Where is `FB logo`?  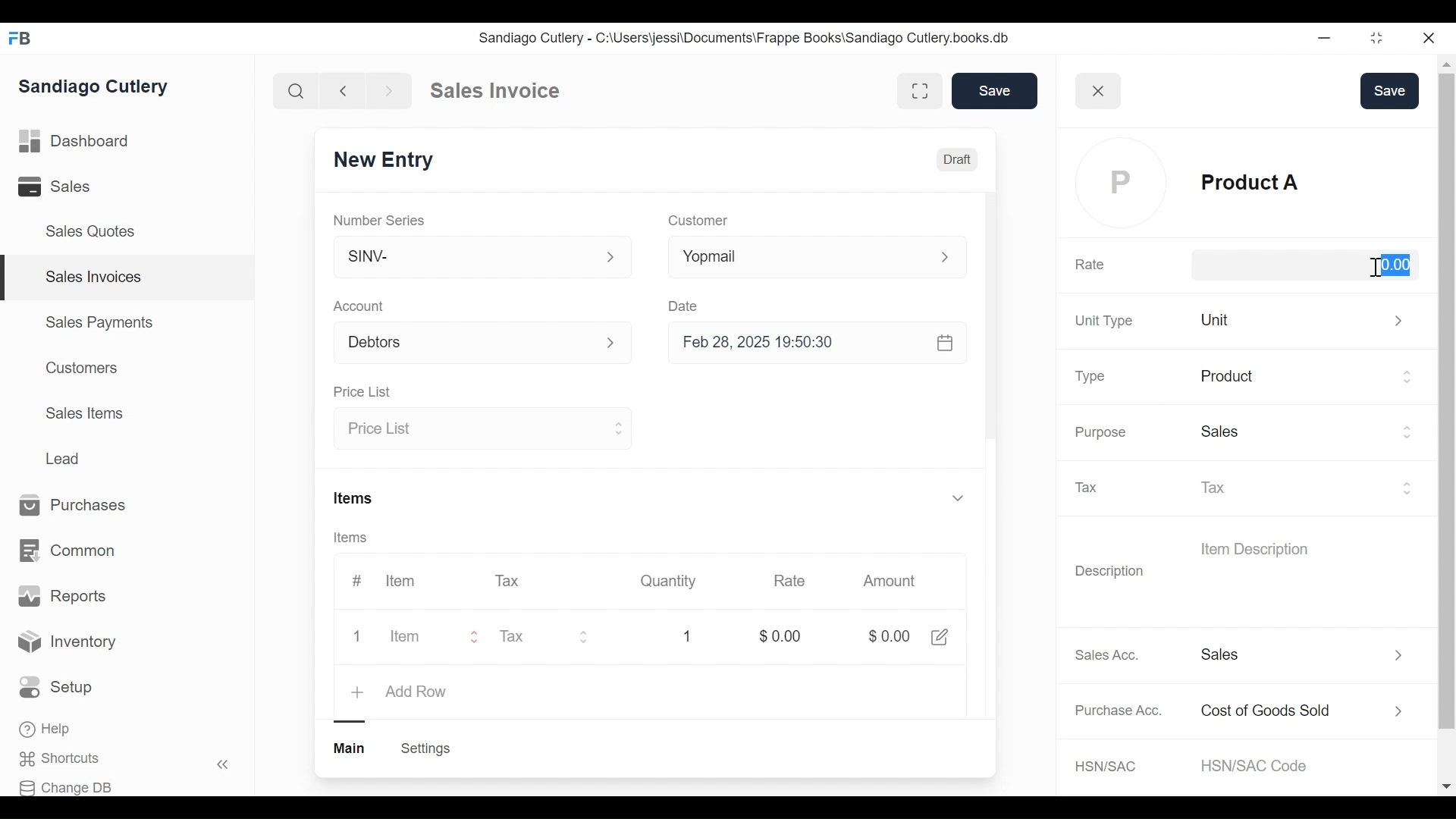
FB logo is located at coordinates (20, 38).